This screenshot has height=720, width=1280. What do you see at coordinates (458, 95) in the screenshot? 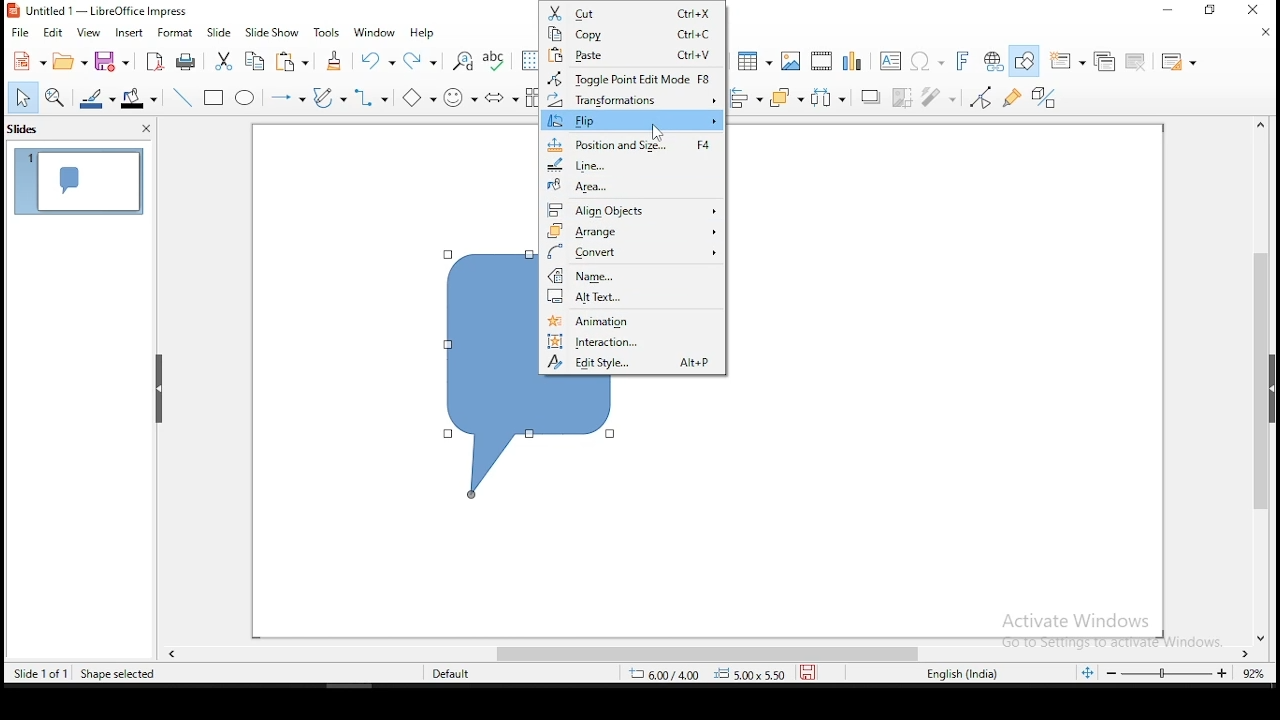
I see `symbol shapes` at bounding box center [458, 95].